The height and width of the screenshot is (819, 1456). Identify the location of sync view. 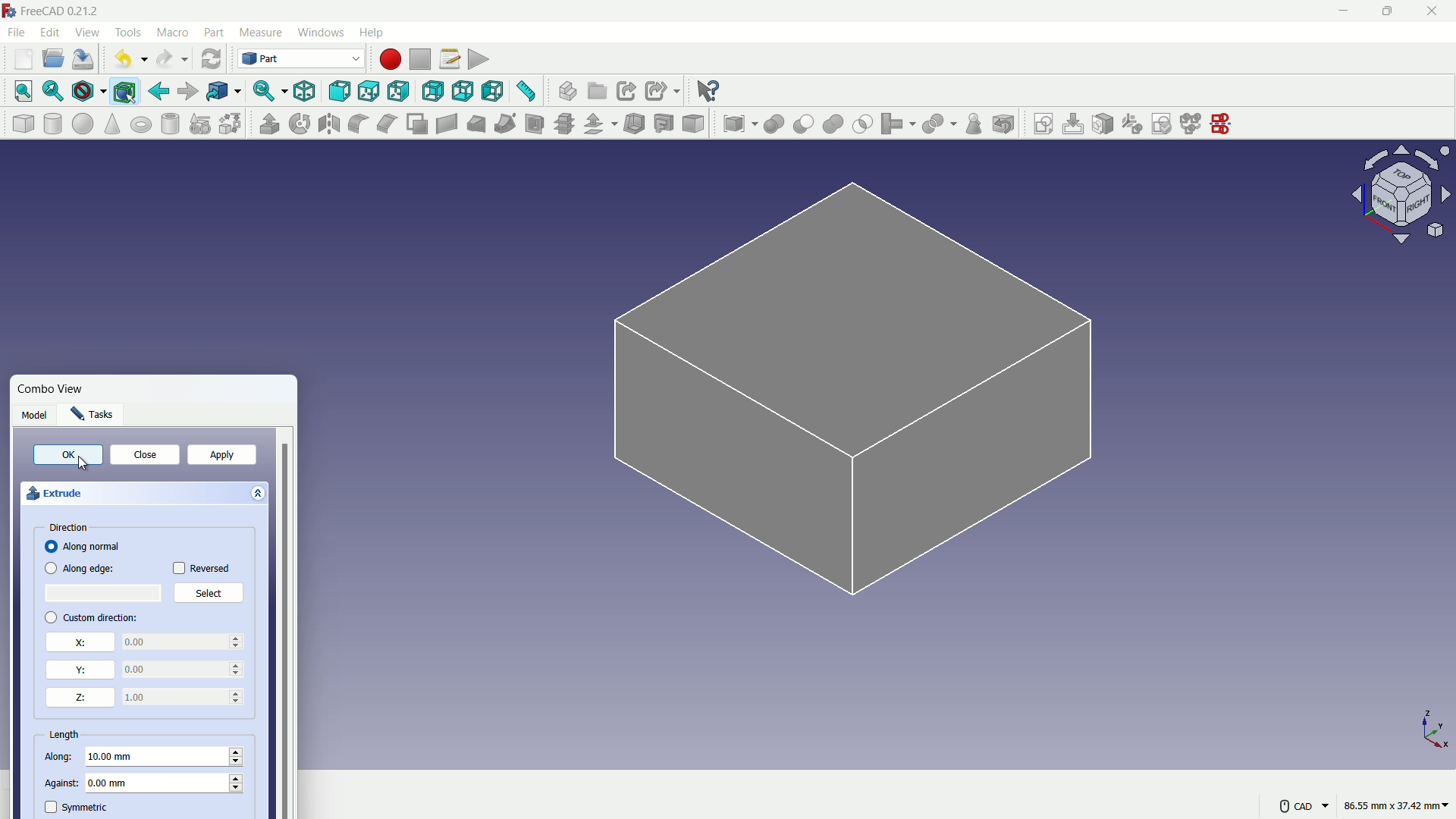
(268, 89).